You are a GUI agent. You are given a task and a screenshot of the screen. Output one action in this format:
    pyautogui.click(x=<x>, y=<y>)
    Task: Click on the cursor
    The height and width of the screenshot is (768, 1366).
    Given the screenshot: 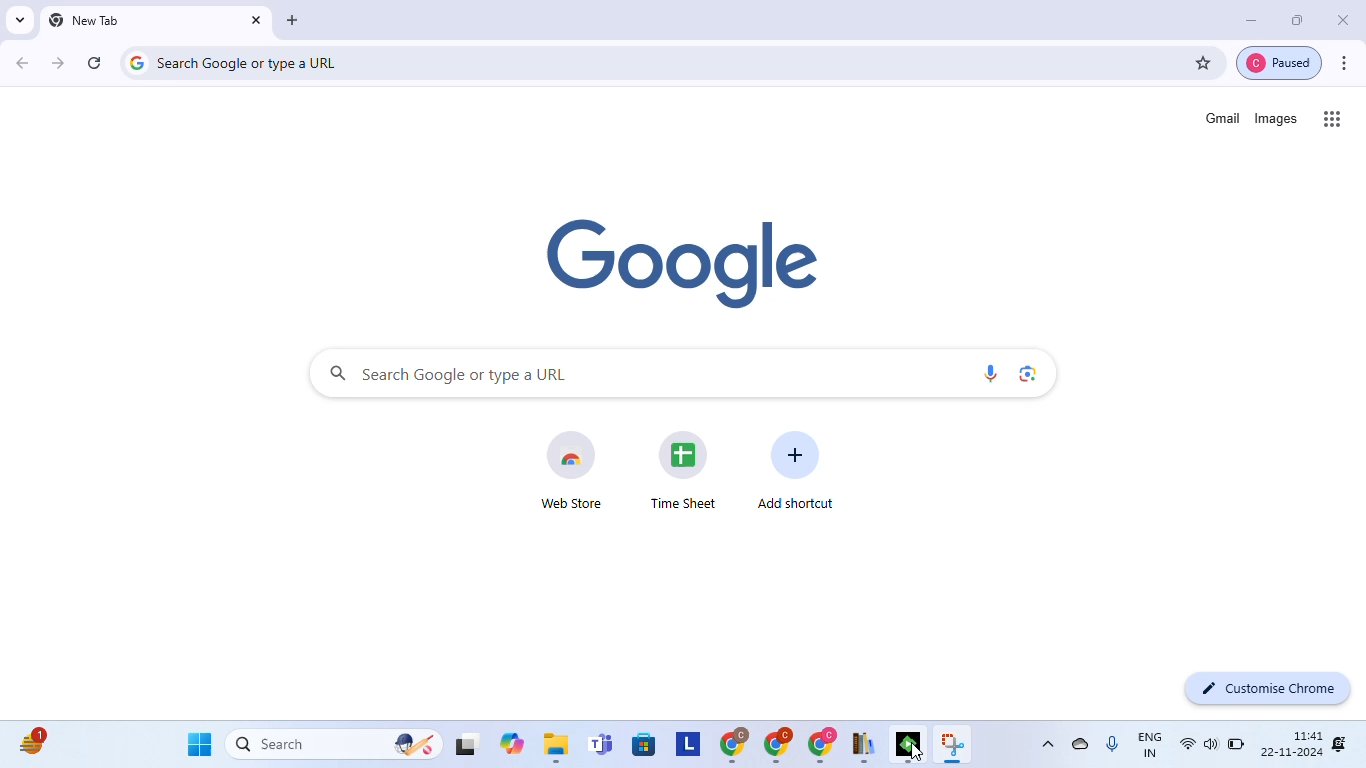 What is the action you would take?
    pyautogui.click(x=915, y=751)
    